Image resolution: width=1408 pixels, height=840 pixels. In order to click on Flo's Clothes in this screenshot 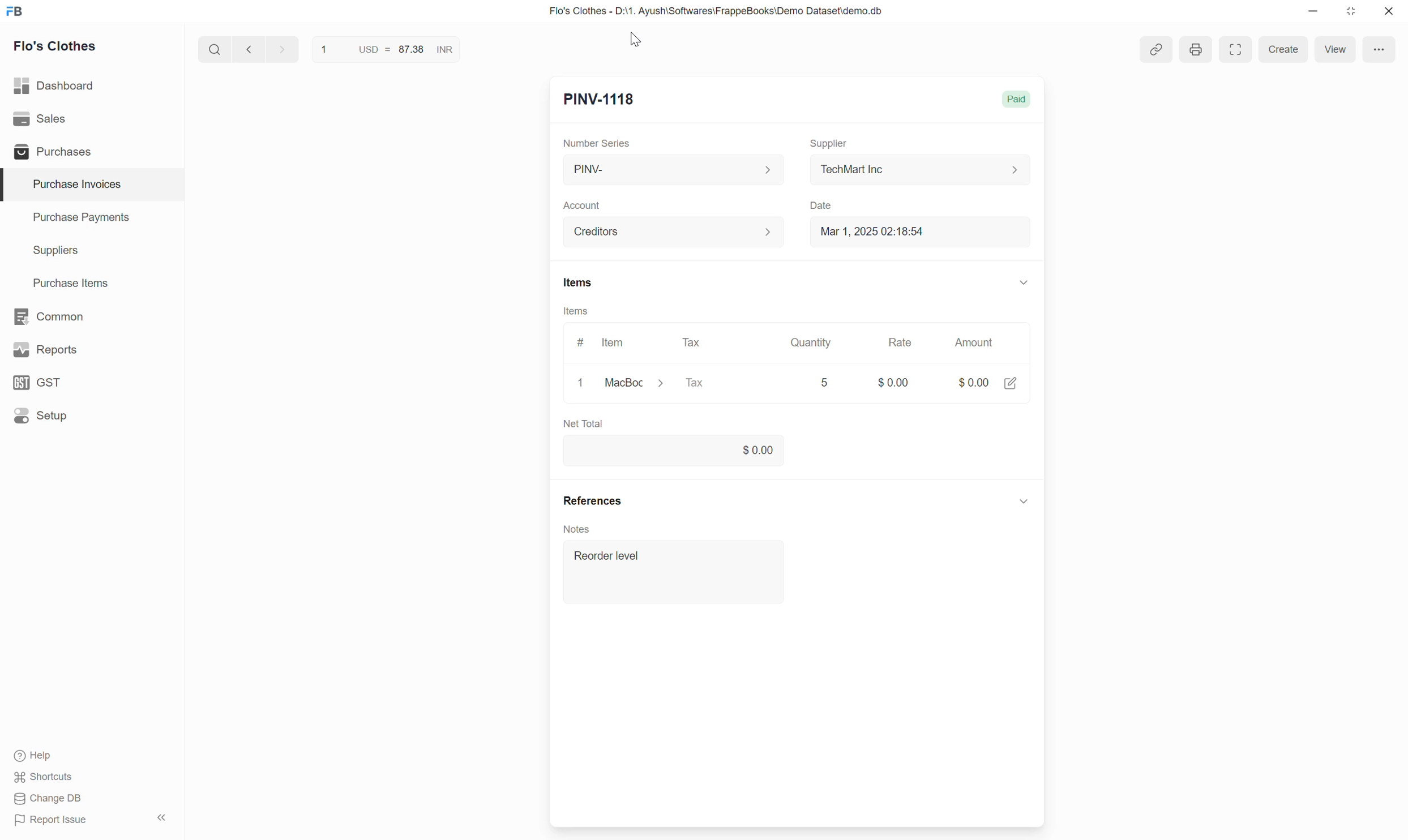, I will do `click(55, 46)`.